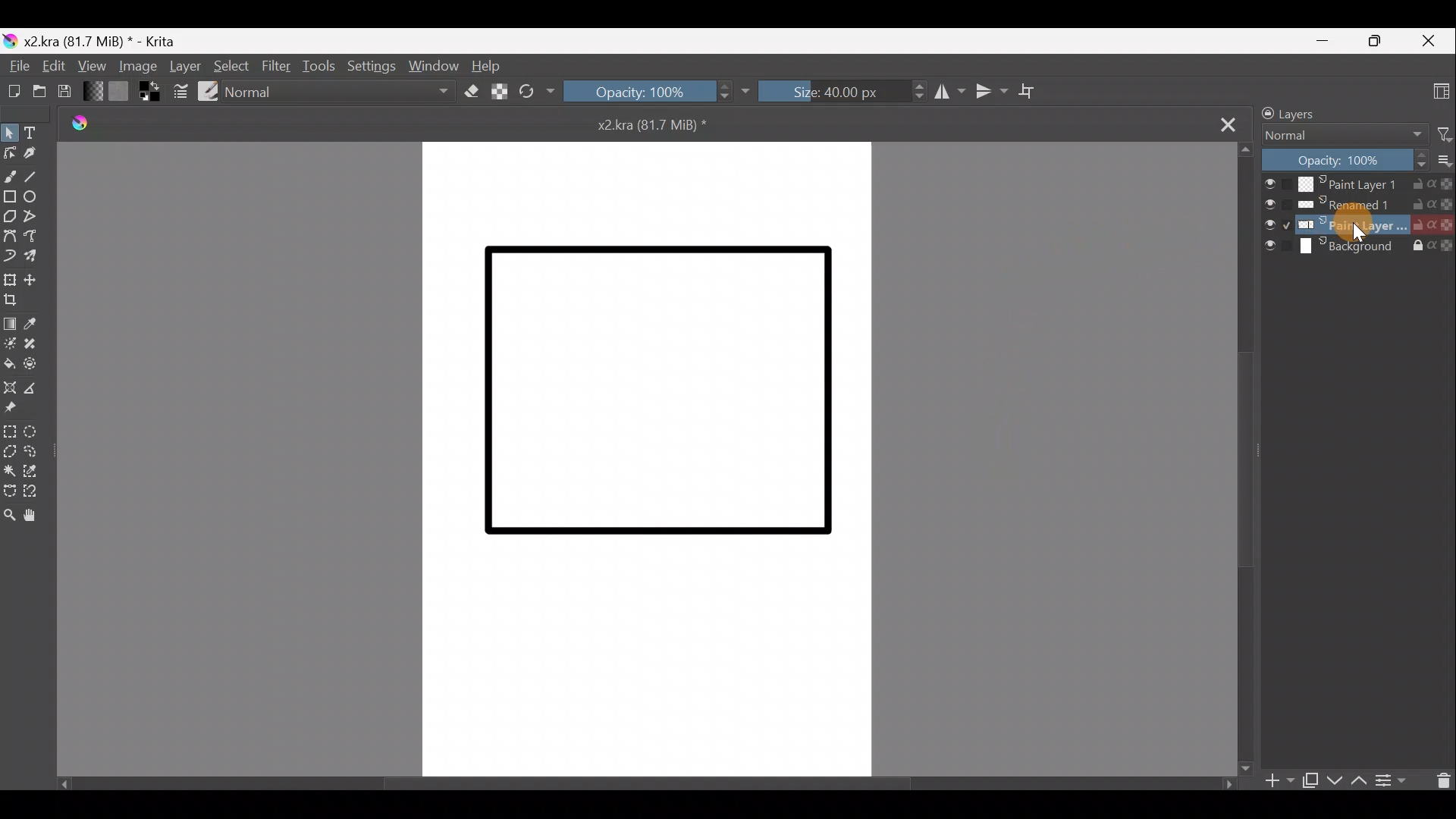  Describe the element at coordinates (120, 90) in the screenshot. I see `Fill patterns` at that location.